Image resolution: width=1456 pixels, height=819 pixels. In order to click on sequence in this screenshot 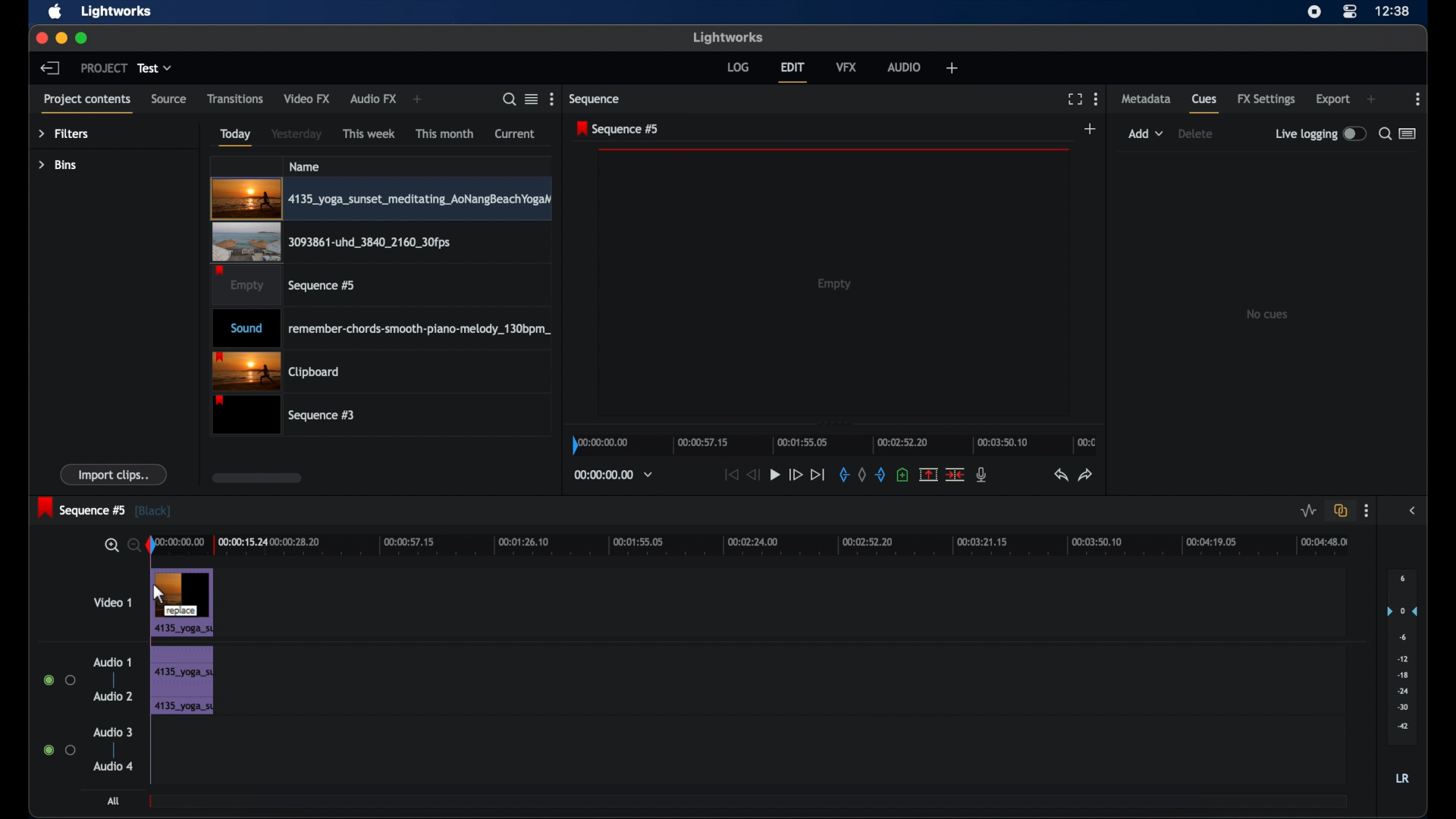, I will do `click(597, 99)`.